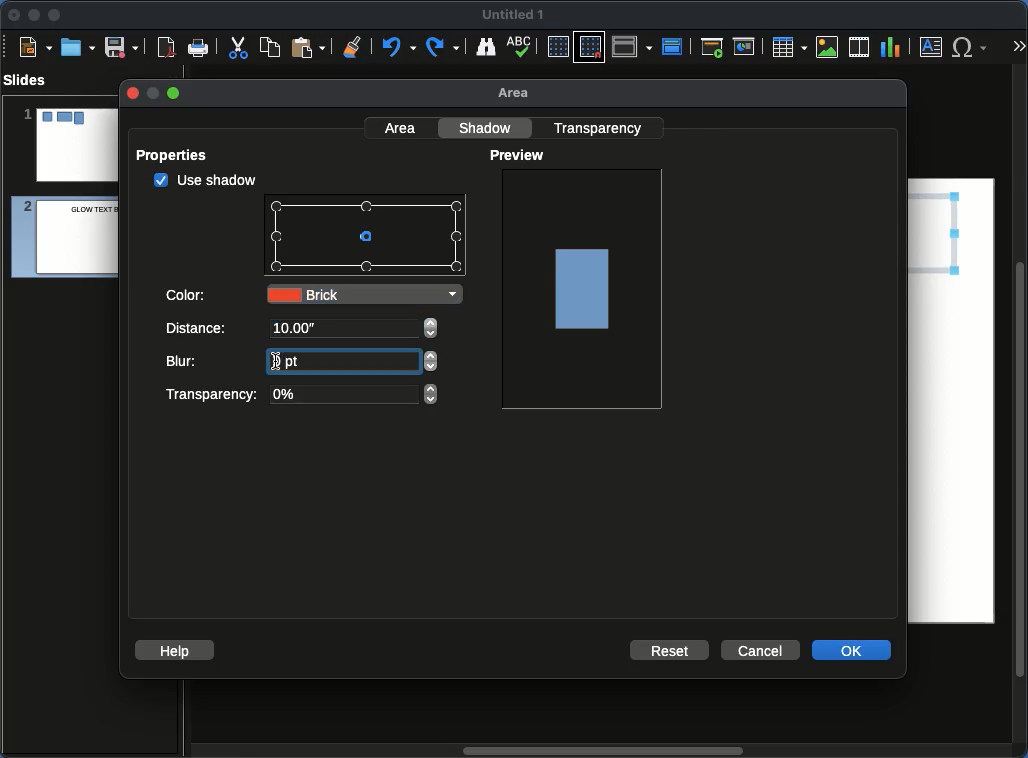  I want to click on Audio or video, so click(860, 47).